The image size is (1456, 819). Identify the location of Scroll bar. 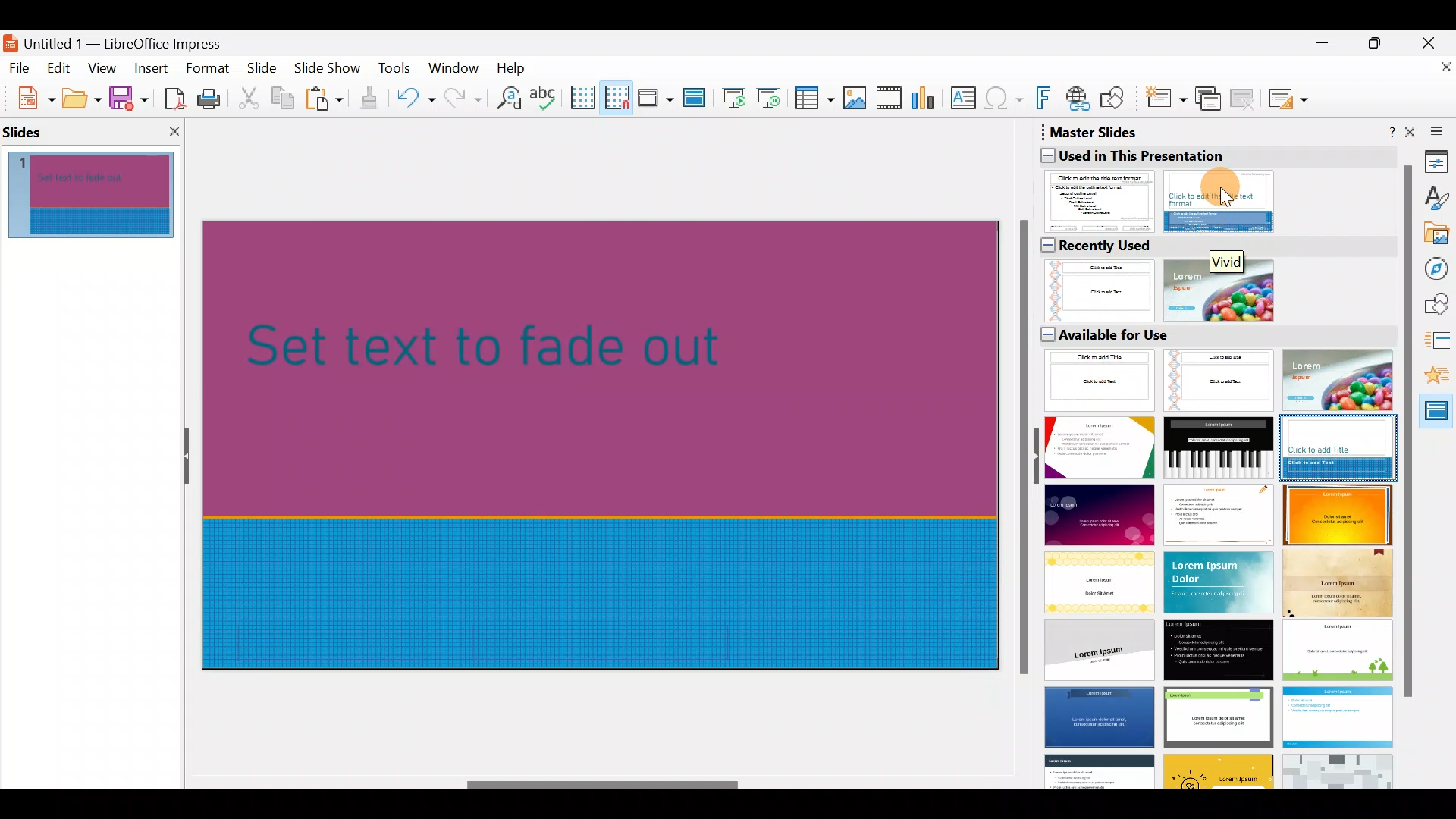
(604, 785).